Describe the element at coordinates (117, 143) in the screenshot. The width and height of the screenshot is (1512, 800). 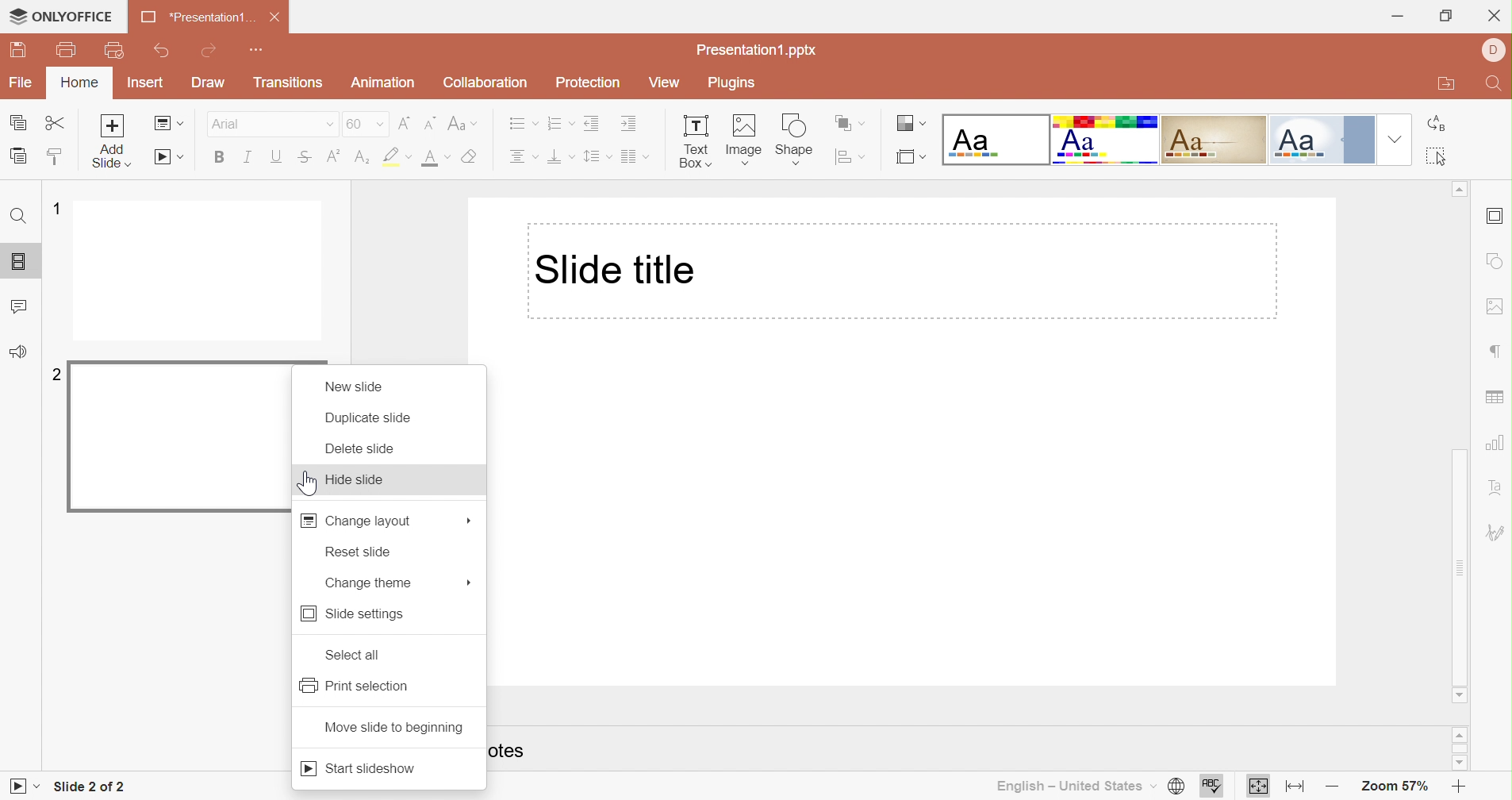
I see `Add Slide` at that location.